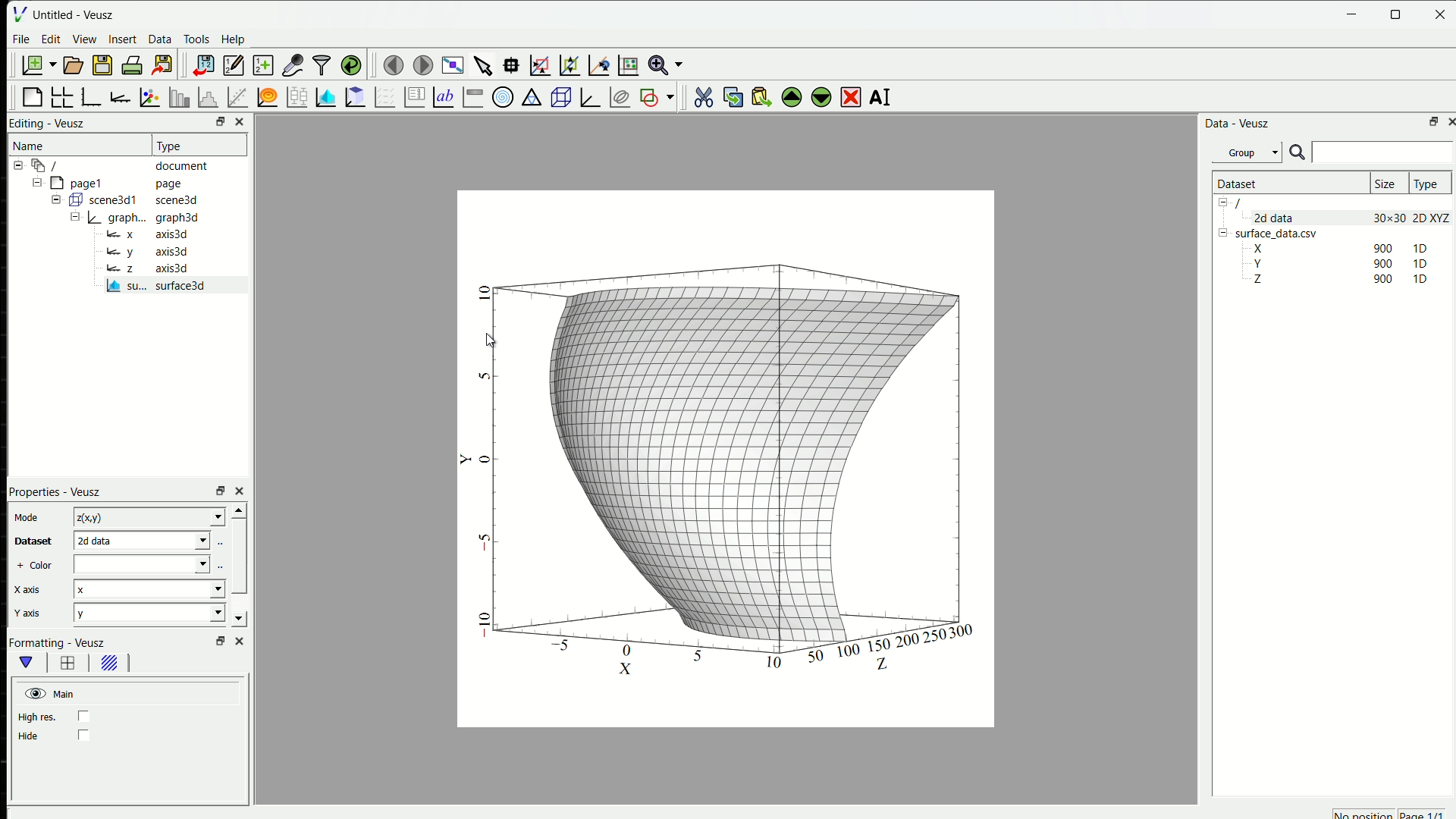 This screenshot has height=819, width=1456. I want to click on select the items from the graph or scroll, so click(485, 65).